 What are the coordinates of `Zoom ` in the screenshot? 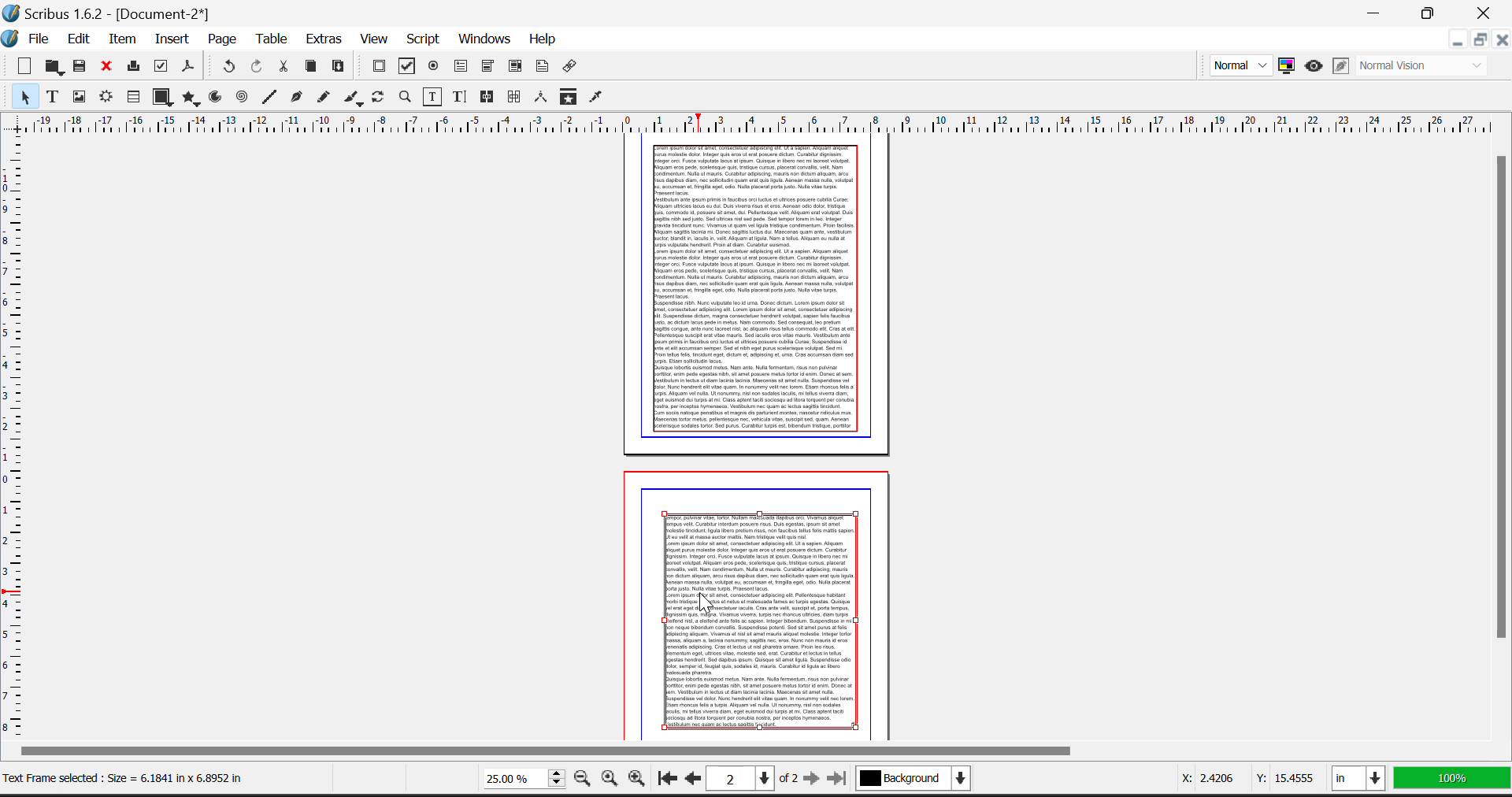 It's located at (405, 98).